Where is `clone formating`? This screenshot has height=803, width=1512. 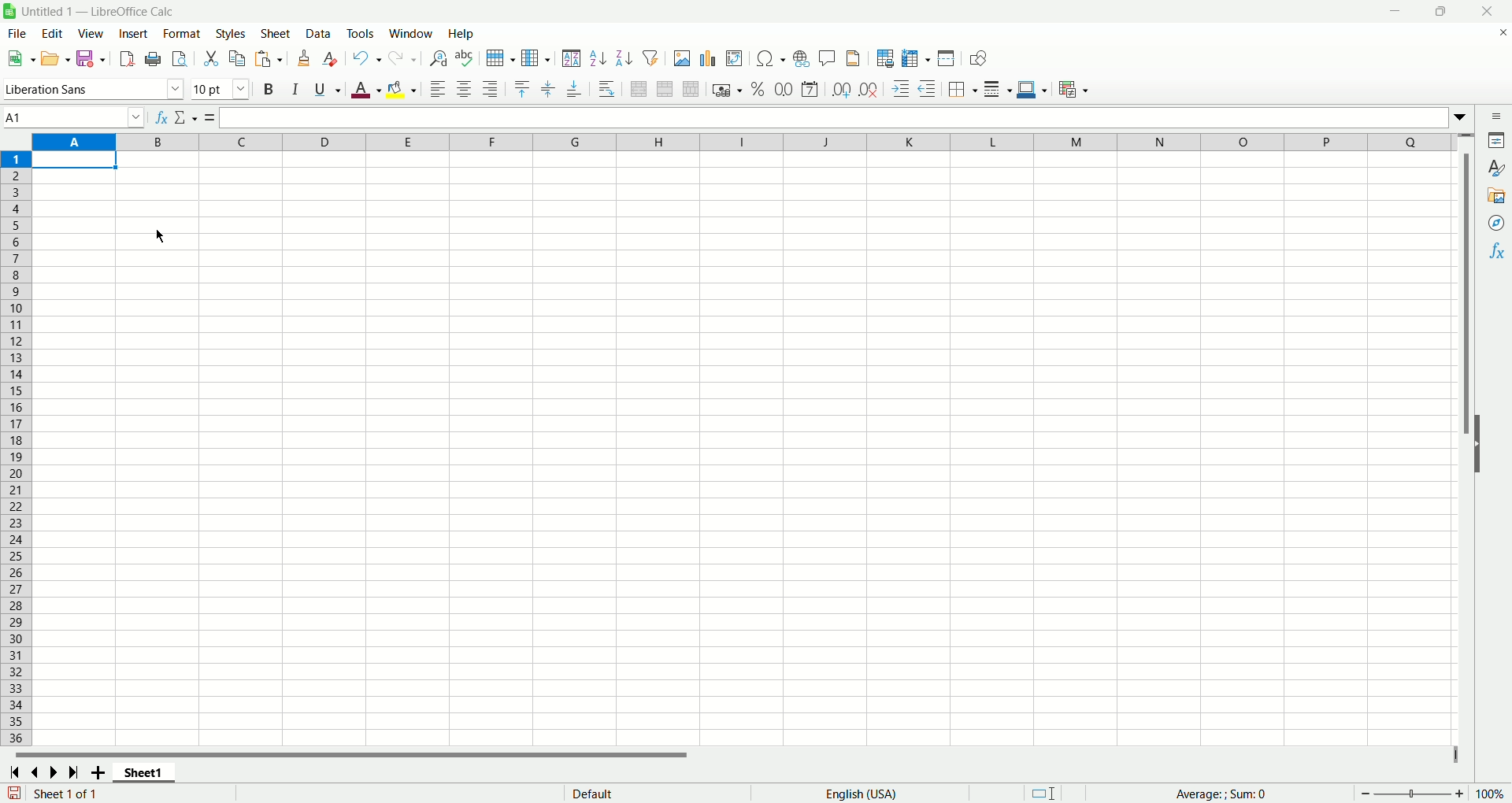 clone formating is located at coordinates (306, 58).